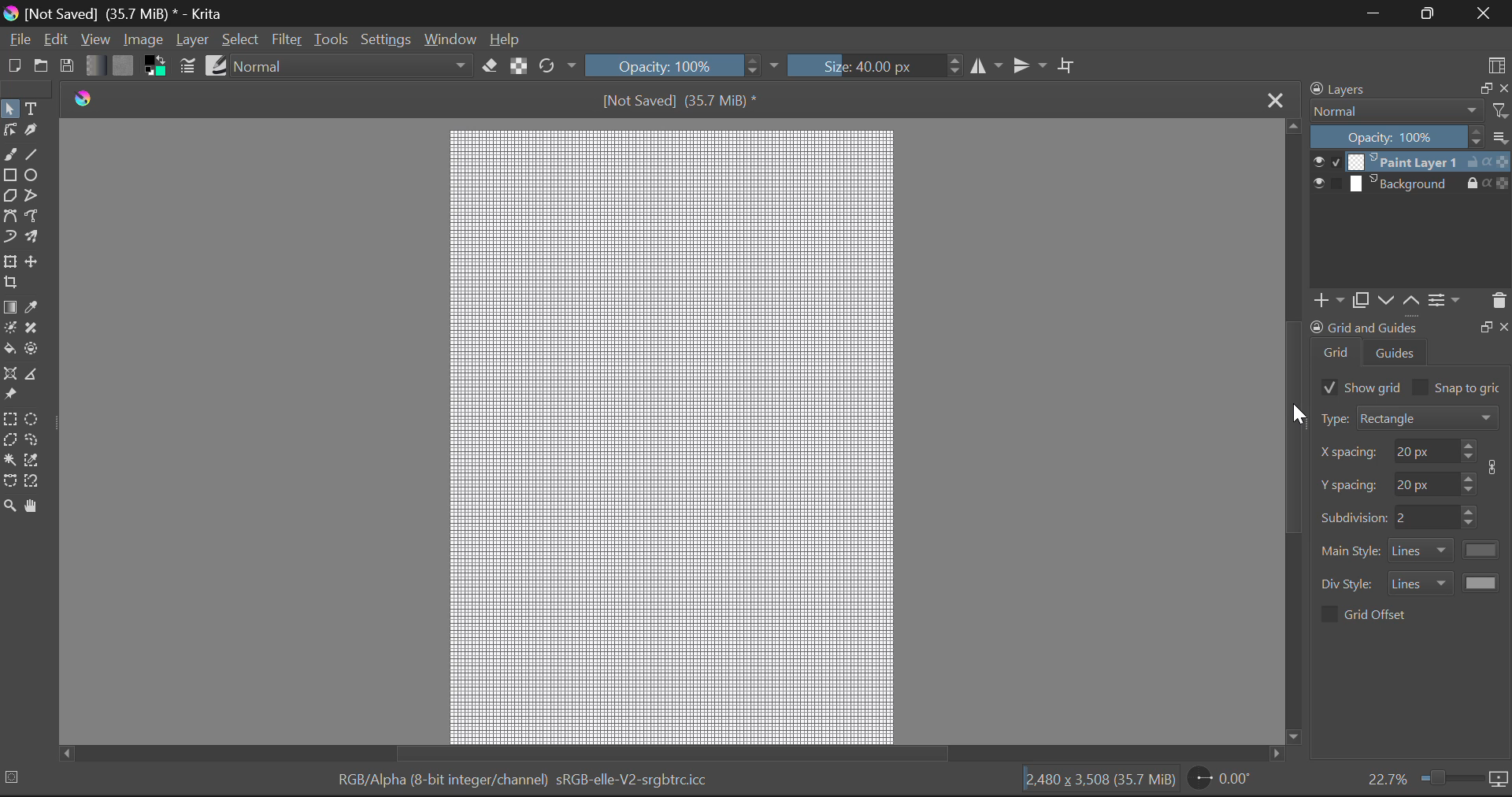 The image size is (1512, 797). Describe the element at coordinates (1503, 88) in the screenshot. I see `close` at that location.